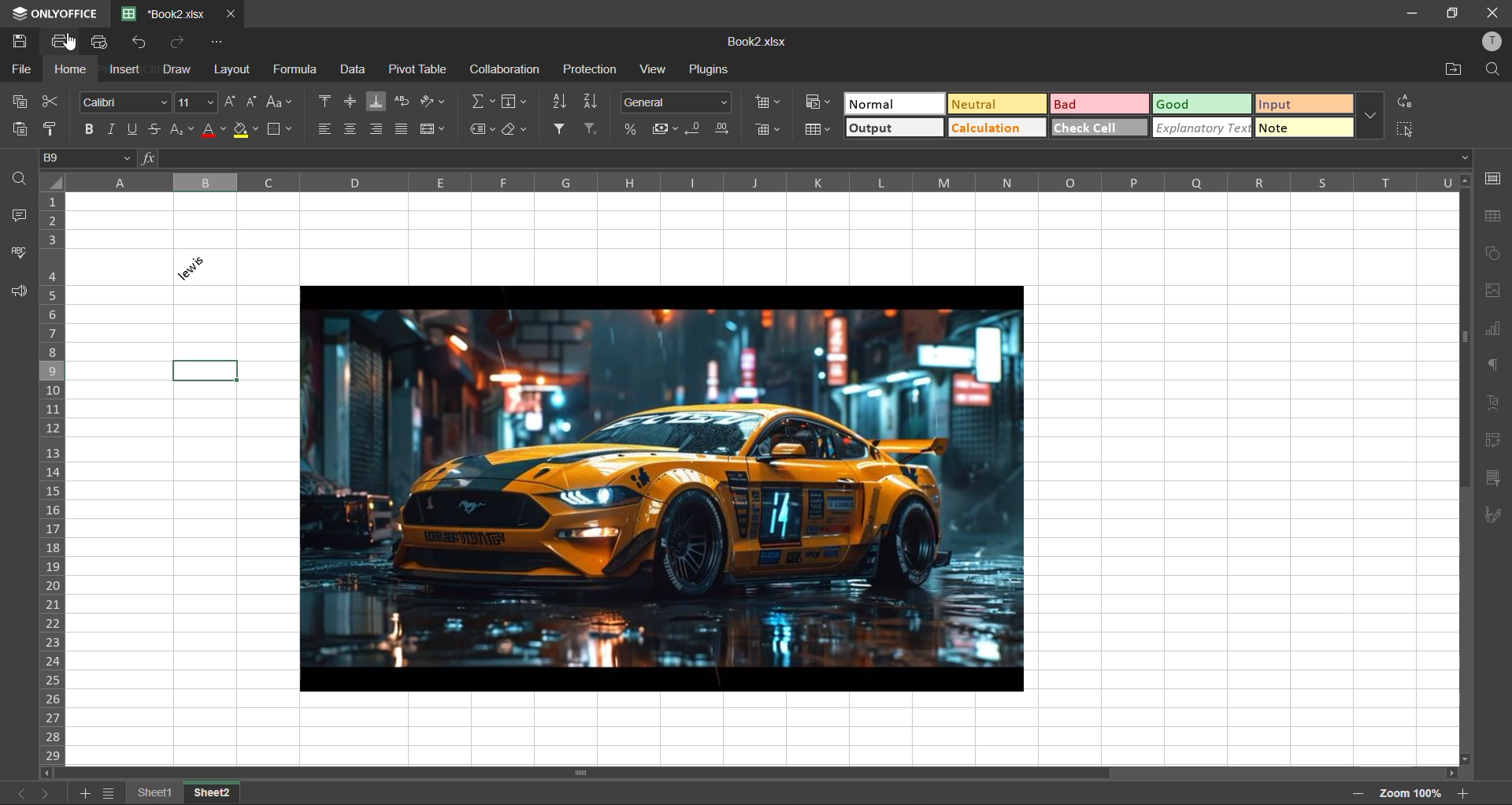  What do you see at coordinates (183, 43) in the screenshot?
I see `redo` at bounding box center [183, 43].